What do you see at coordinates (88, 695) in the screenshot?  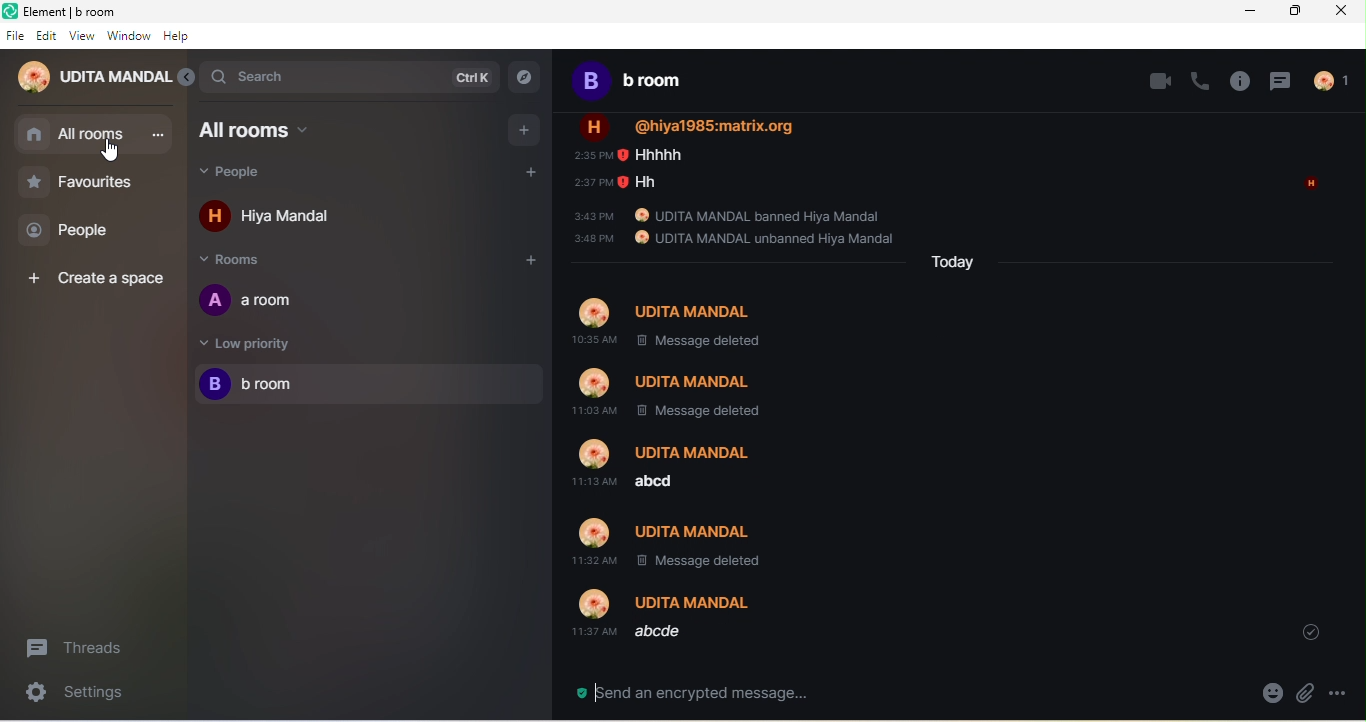 I see `seetings` at bounding box center [88, 695].